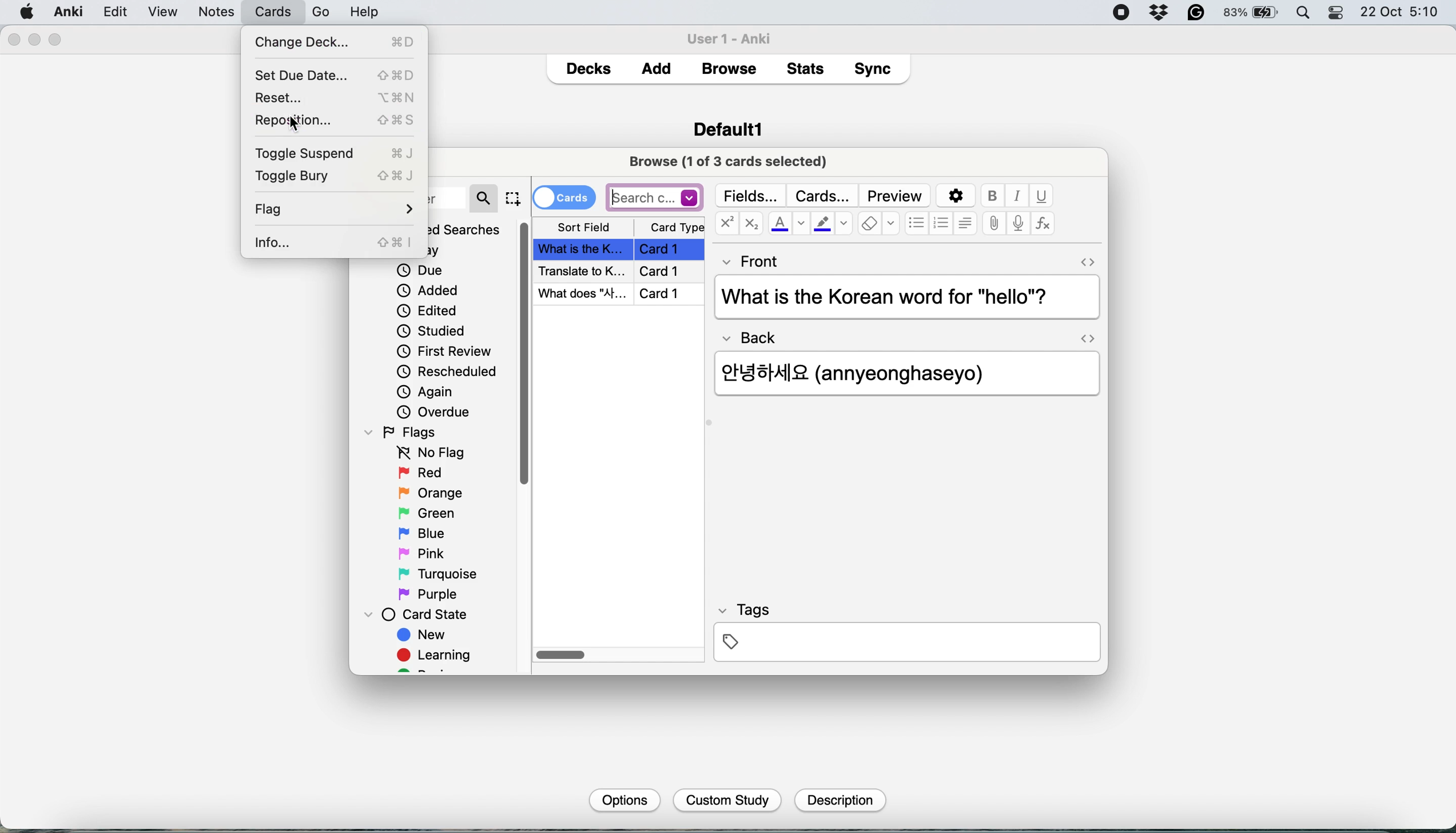  What do you see at coordinates (732, 160) in the screenshot?
I see `Browse (1 of 3 cards selected)` at bounding box center [732, 160].